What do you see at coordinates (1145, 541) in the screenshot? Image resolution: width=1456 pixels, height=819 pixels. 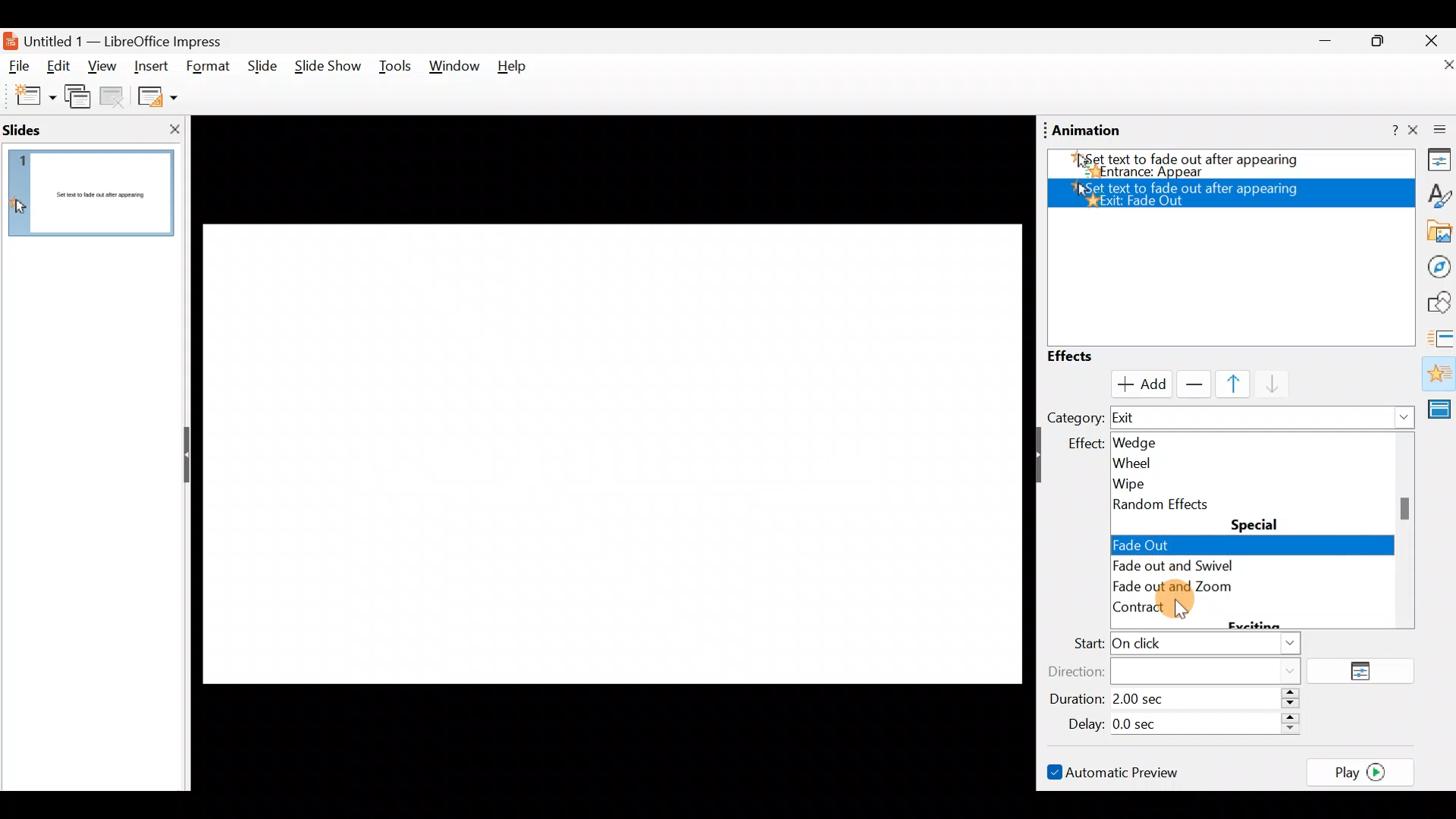 I see `Cursor` at bounding box center [1145, 541].